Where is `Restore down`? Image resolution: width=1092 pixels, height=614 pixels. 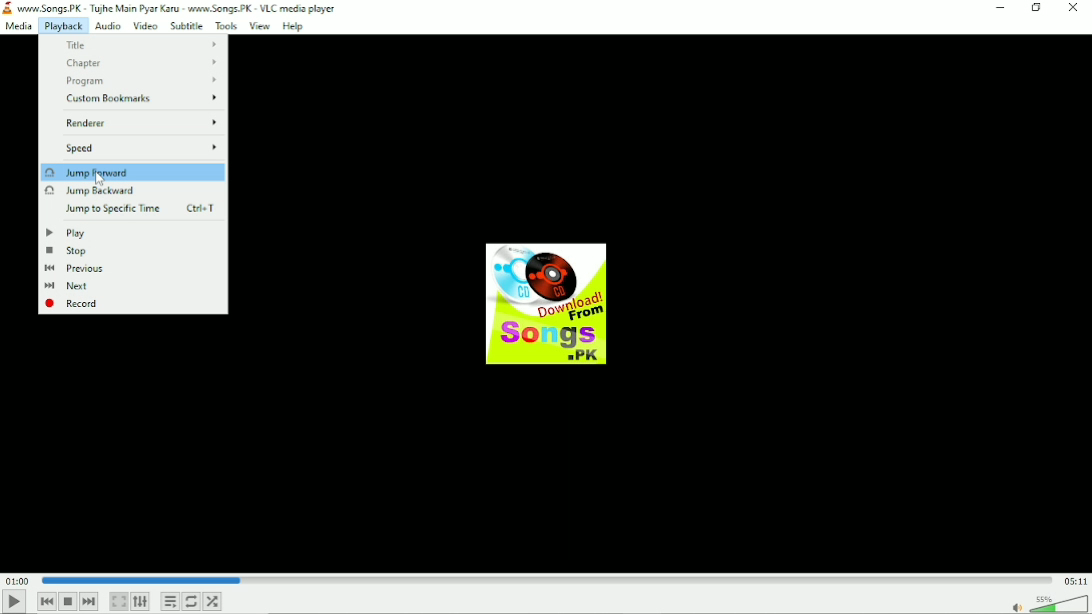
Restore down is located at coordinates (1038, 8).